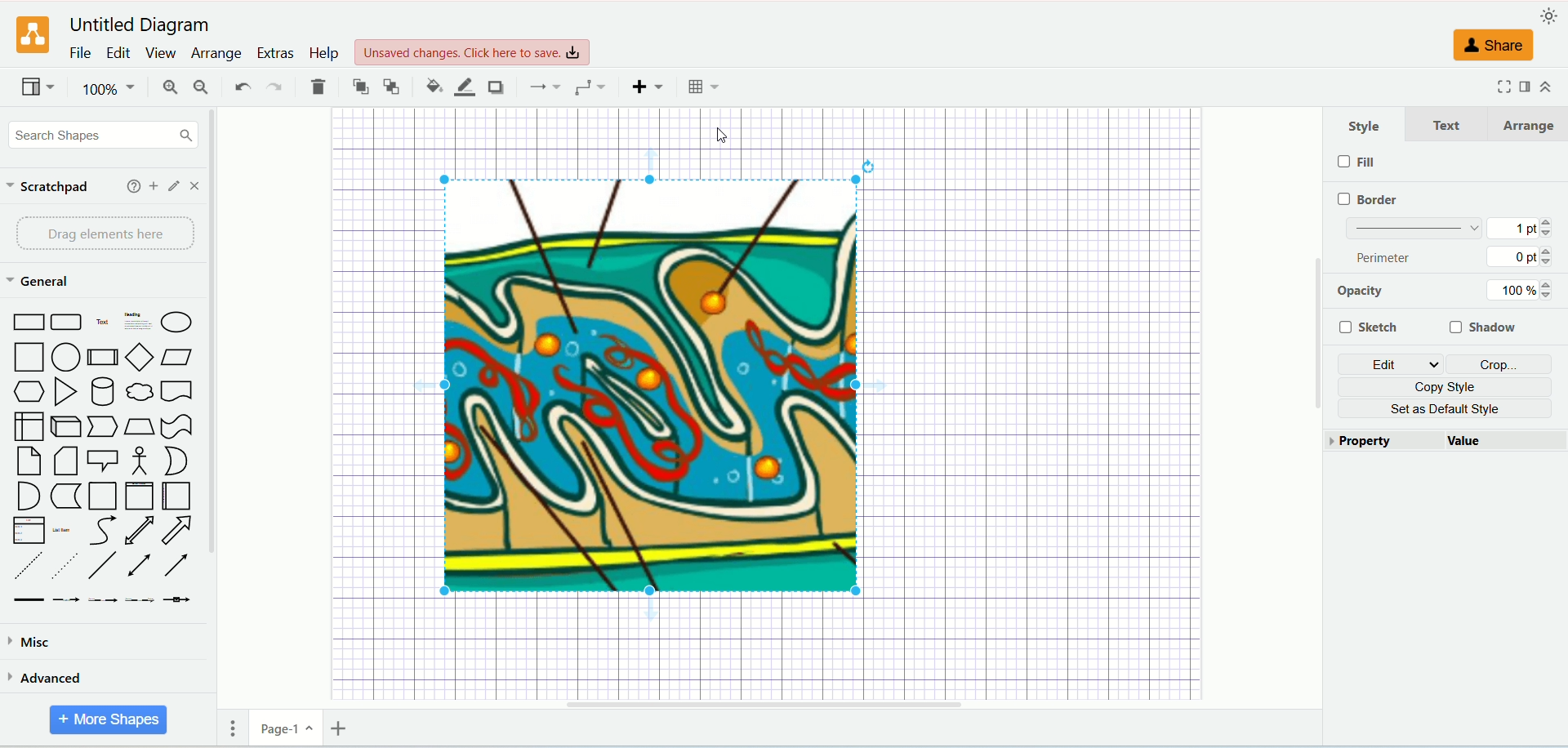 The image size is (1568, 748). I want to click on edit, so click(115, 51).